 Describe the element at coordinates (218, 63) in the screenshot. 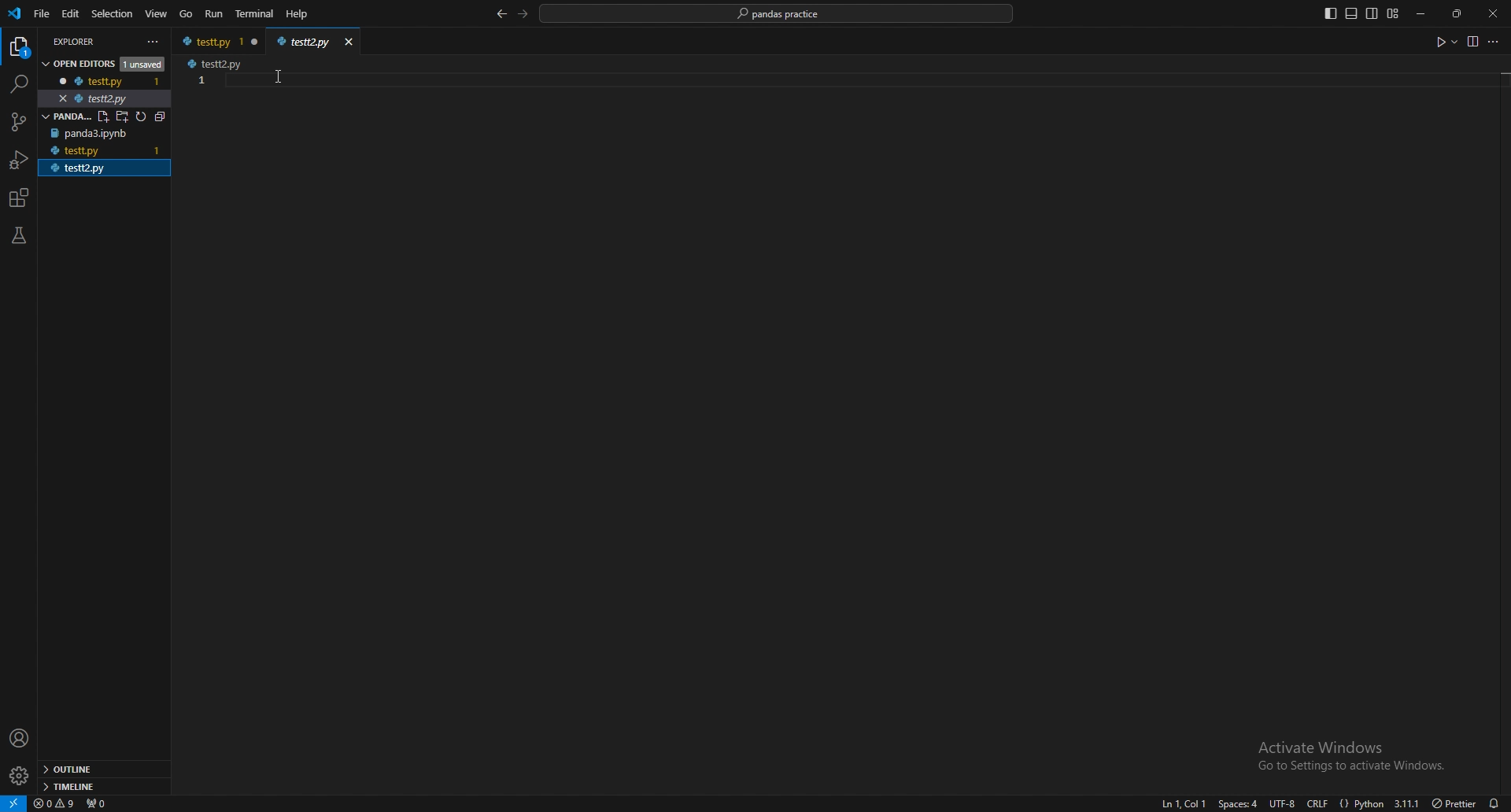

I see `file name` at that location.